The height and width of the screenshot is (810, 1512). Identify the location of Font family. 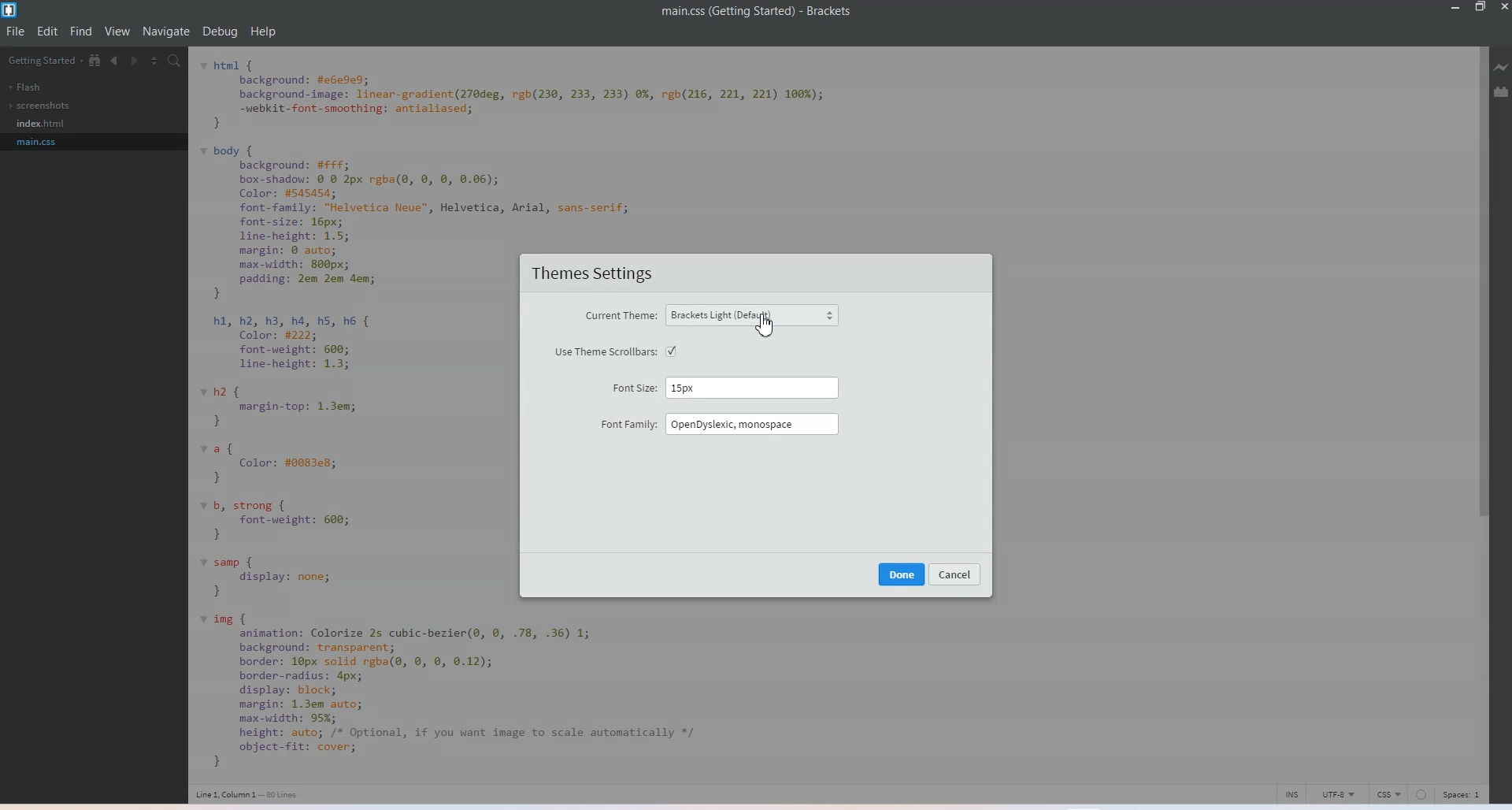
(720, 425).